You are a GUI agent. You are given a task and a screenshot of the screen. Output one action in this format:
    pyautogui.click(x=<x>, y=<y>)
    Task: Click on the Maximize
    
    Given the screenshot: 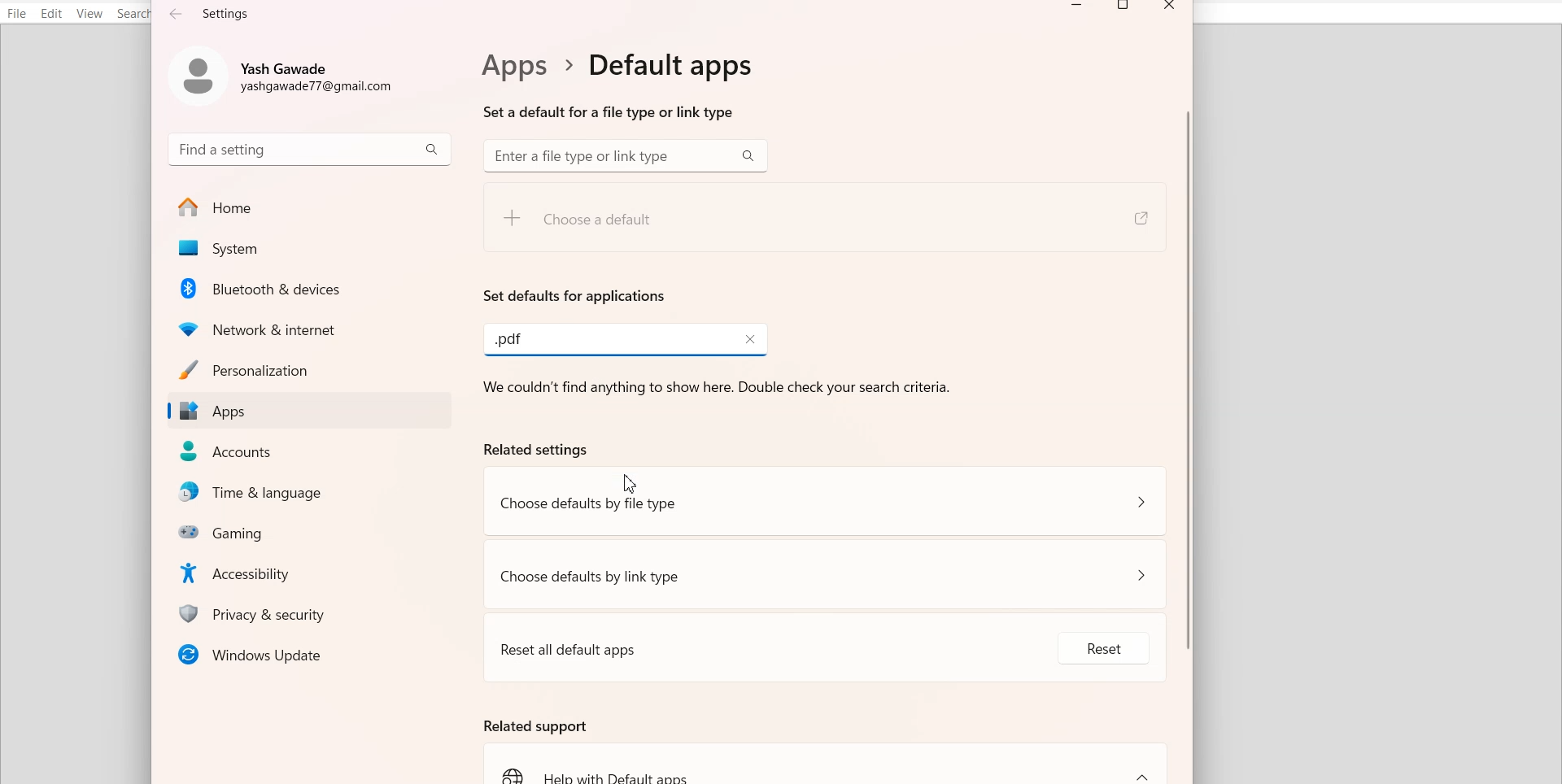 What is the action you would take?
    pyautogui.click(x=1125, y=8)
    